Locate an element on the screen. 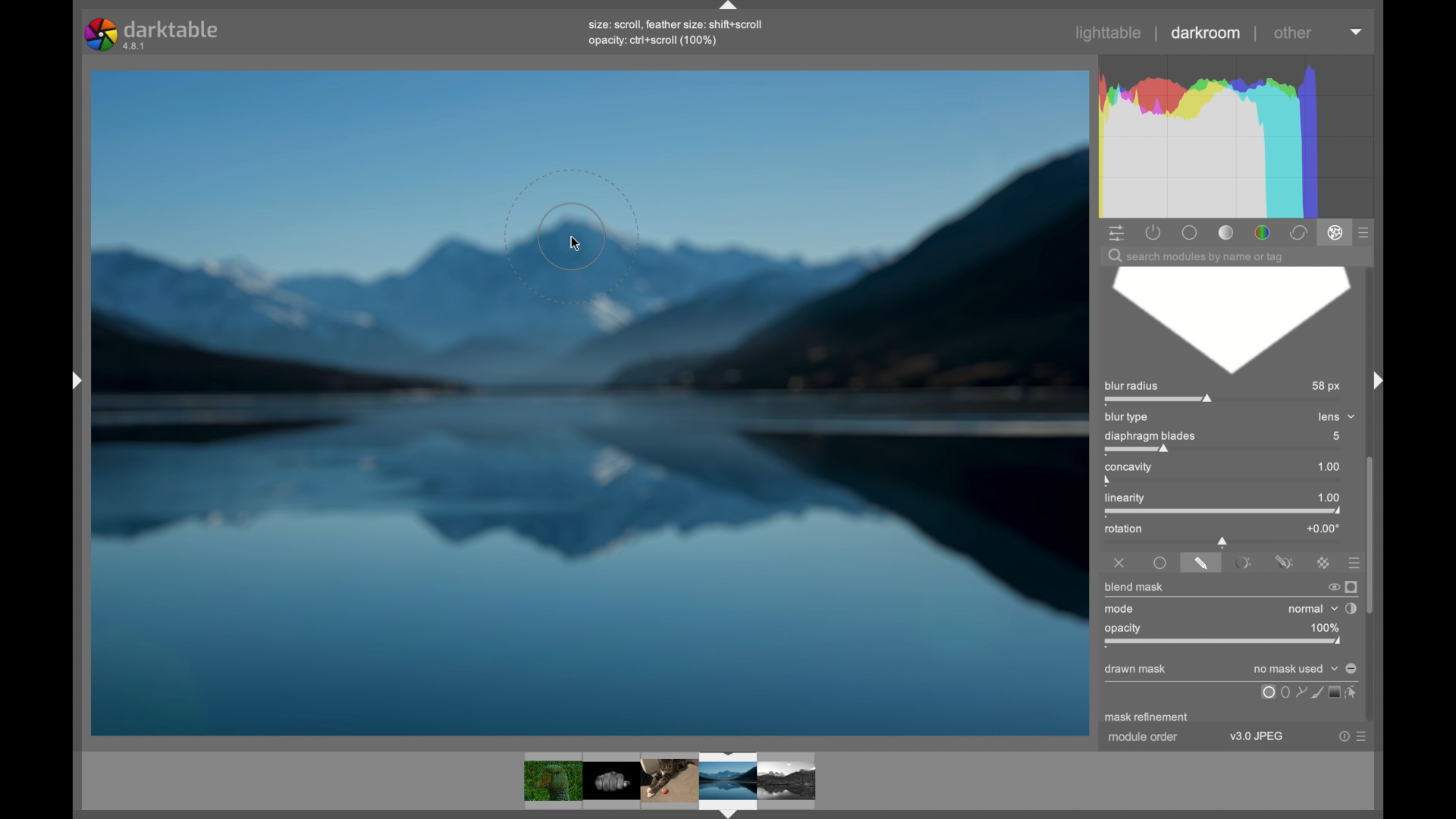 This screenshot has width=1456, height=819. switch off blend mask is located at coordinates (1330, 587).